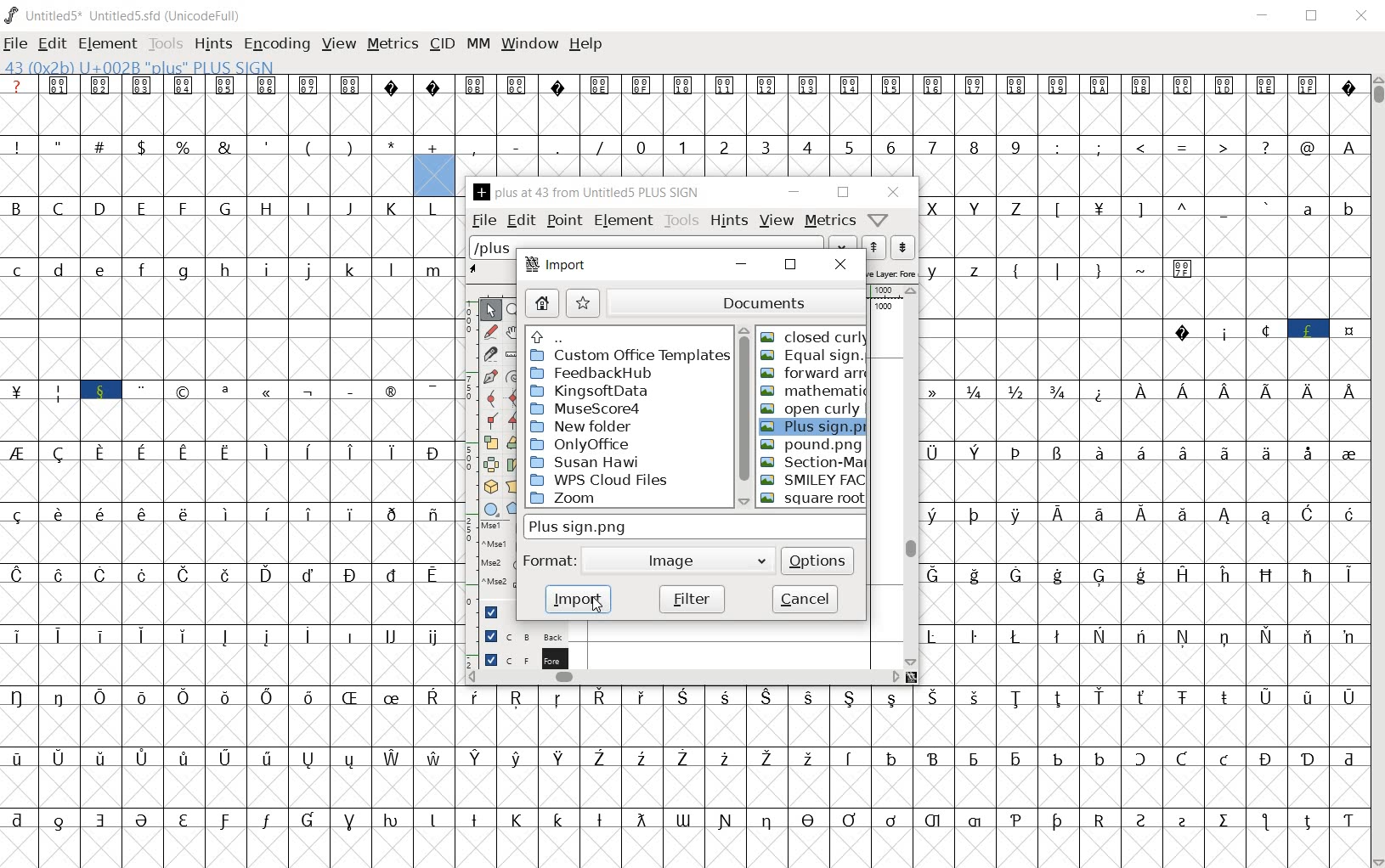 This screenshot has height=868, width=1385. What do you see at coordinates (247, 593) in the screenshot?
I see `accented letters` at bounding box center [247, 593].